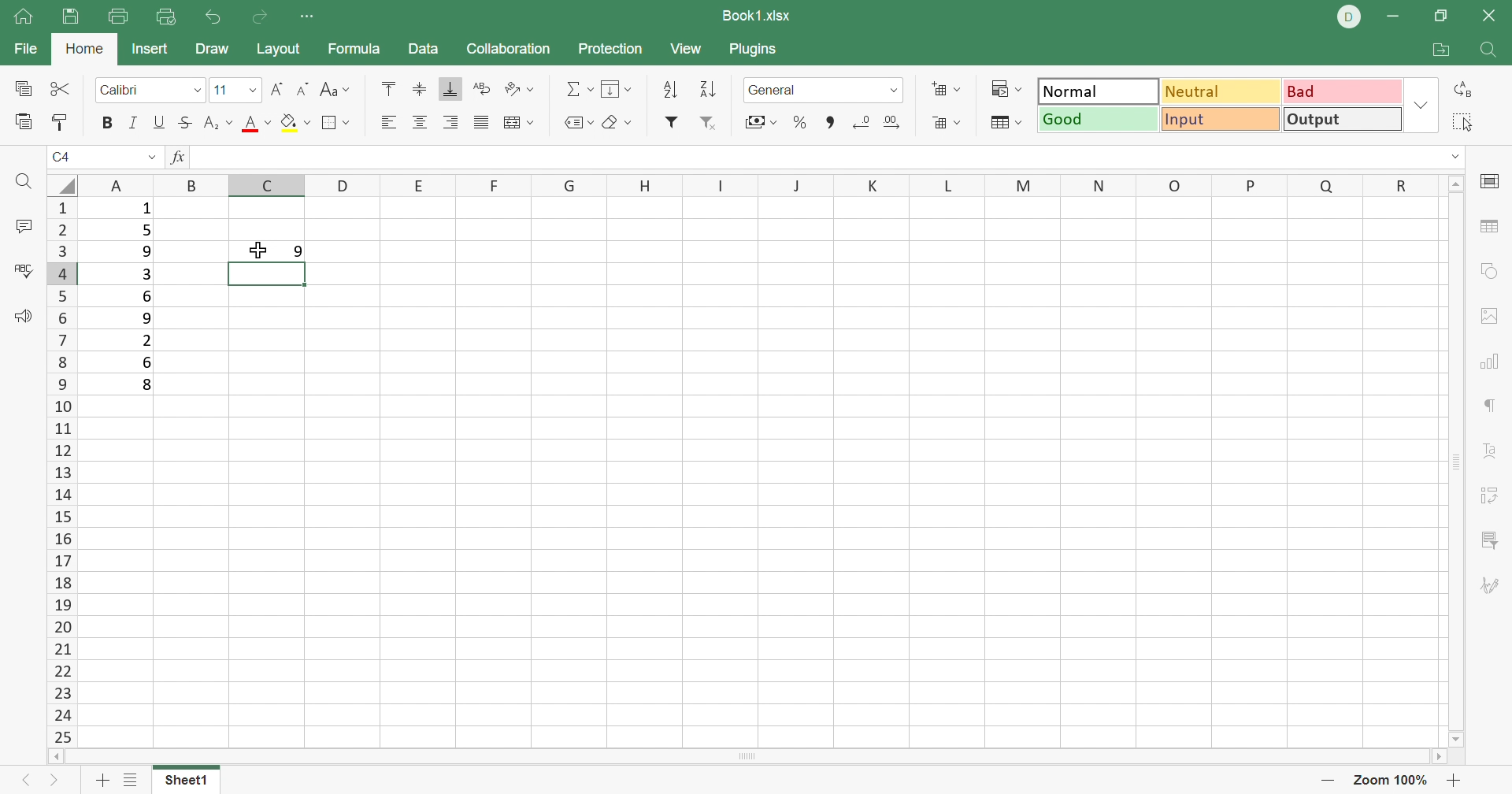  I want to click on Align Middle, so click(417, 89).